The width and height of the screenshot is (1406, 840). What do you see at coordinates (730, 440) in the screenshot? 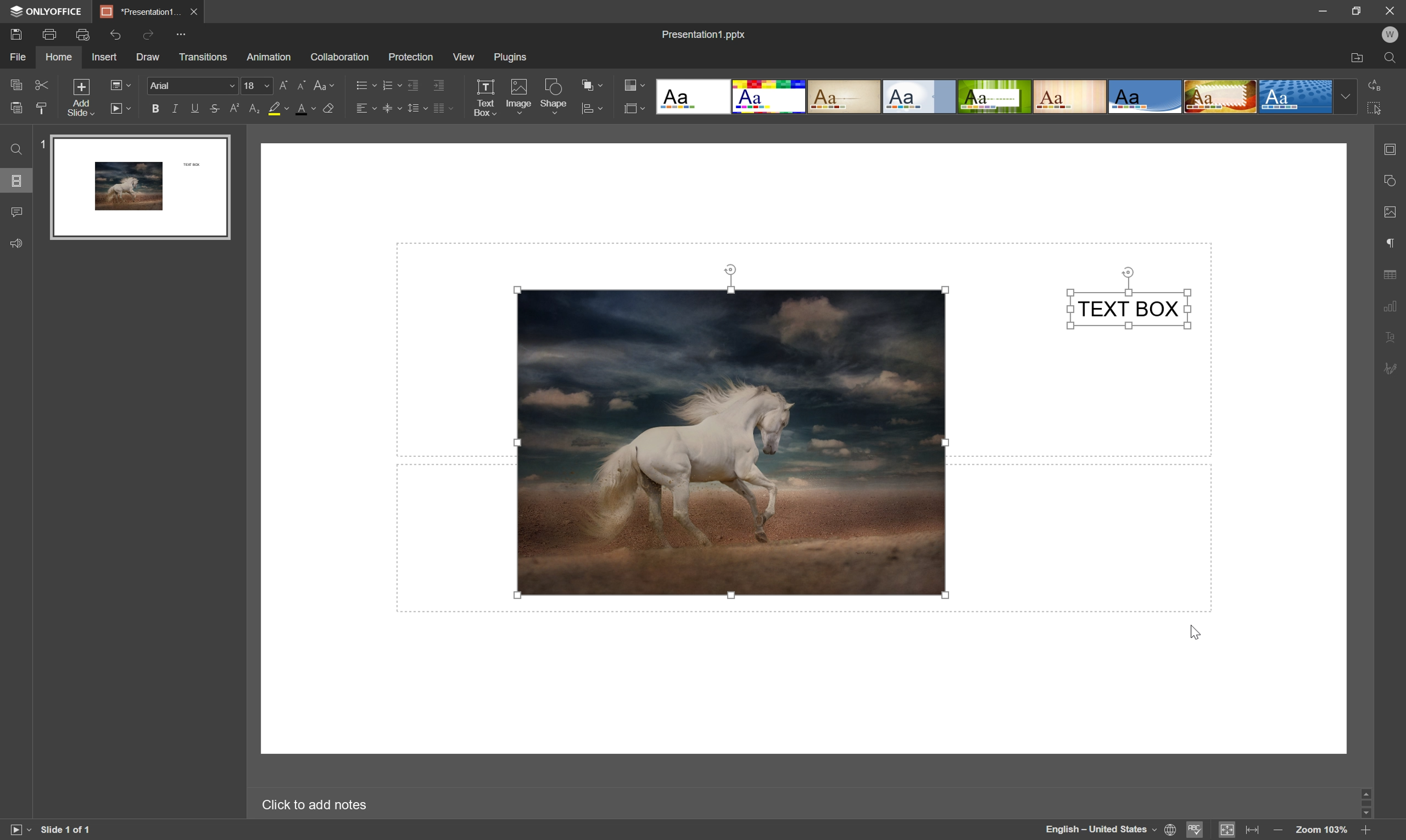
I see `image` at bounding box center [730, 440].